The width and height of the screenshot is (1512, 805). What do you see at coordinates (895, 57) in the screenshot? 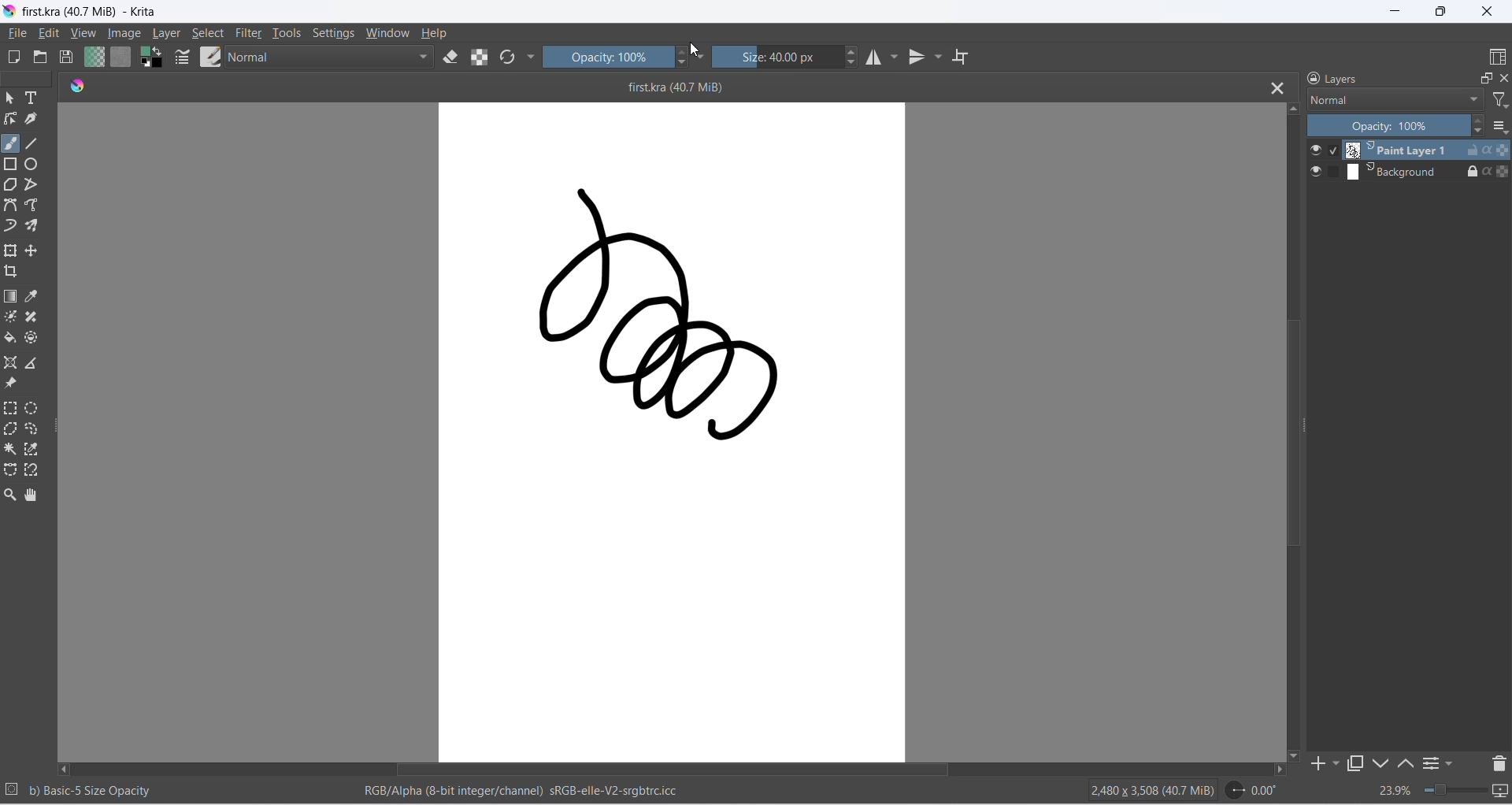
I see `horizontal mirror dropdown button` at bounding box center [895, 57].